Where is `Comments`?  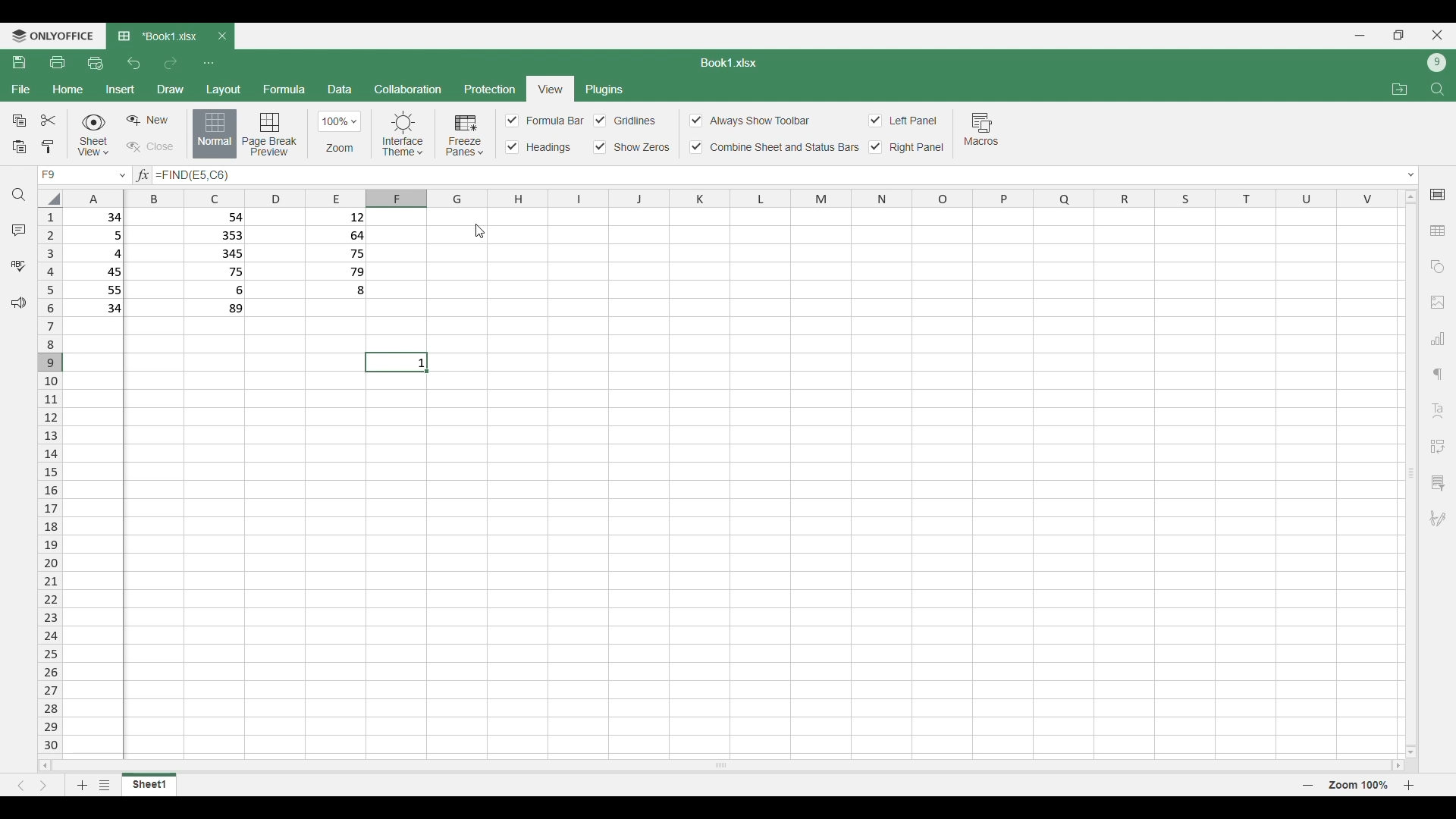 Comments is located at coordinates (18, 230).